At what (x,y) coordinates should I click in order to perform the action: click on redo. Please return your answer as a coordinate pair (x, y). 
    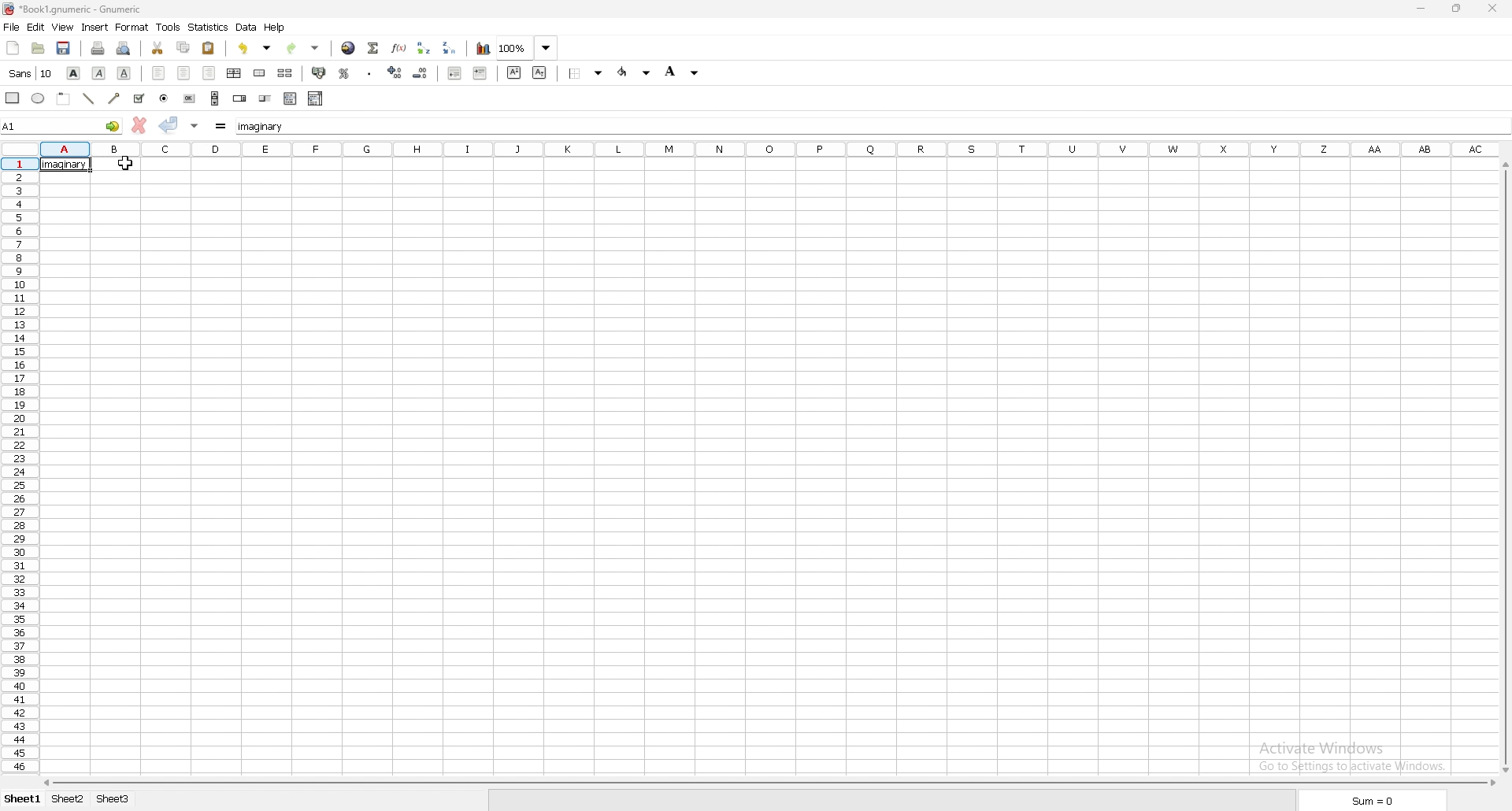
    Looking at the image, I should click on (302, 49).